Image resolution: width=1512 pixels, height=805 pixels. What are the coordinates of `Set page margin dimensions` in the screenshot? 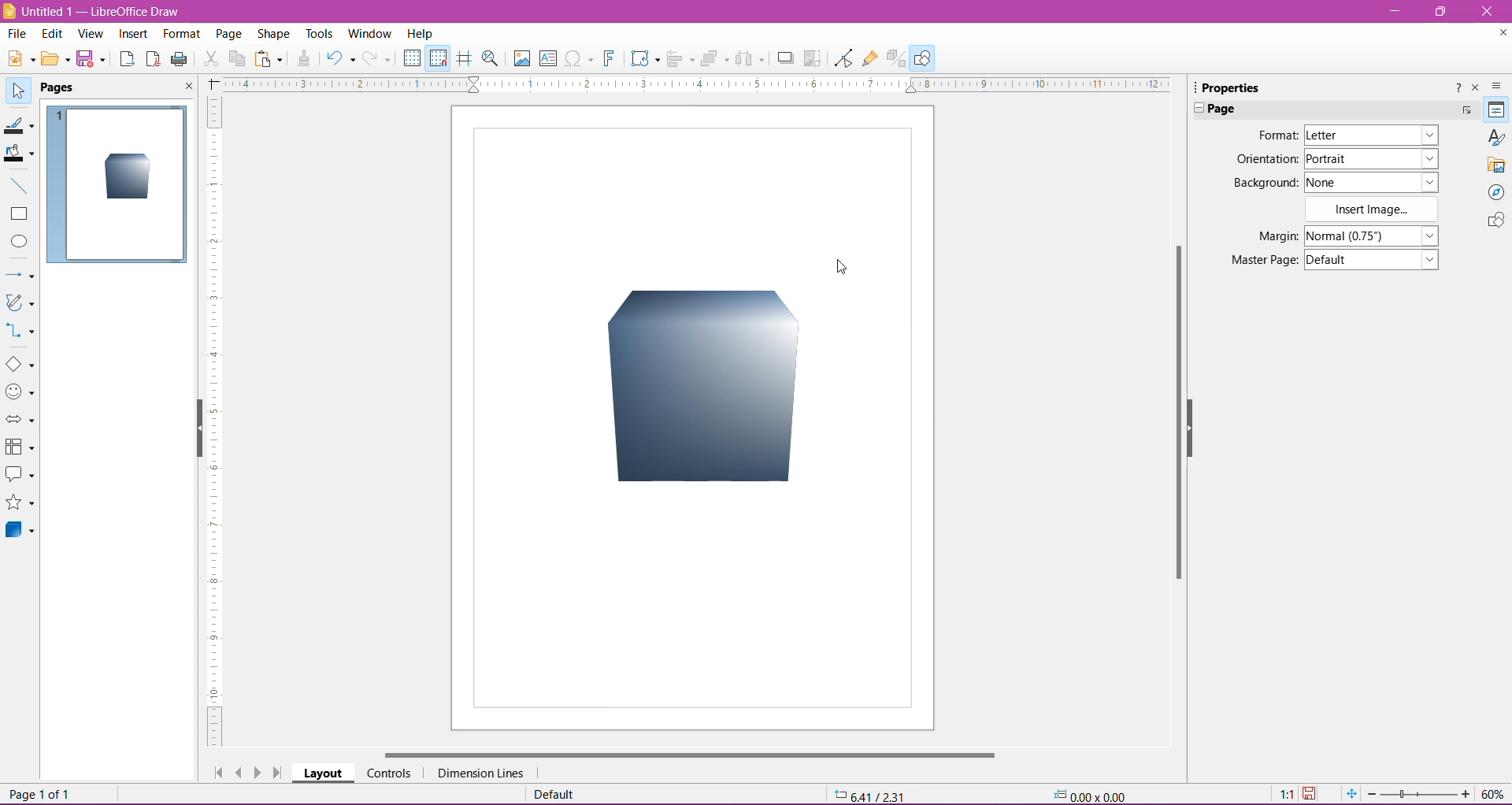 It's located at (1374, 235).